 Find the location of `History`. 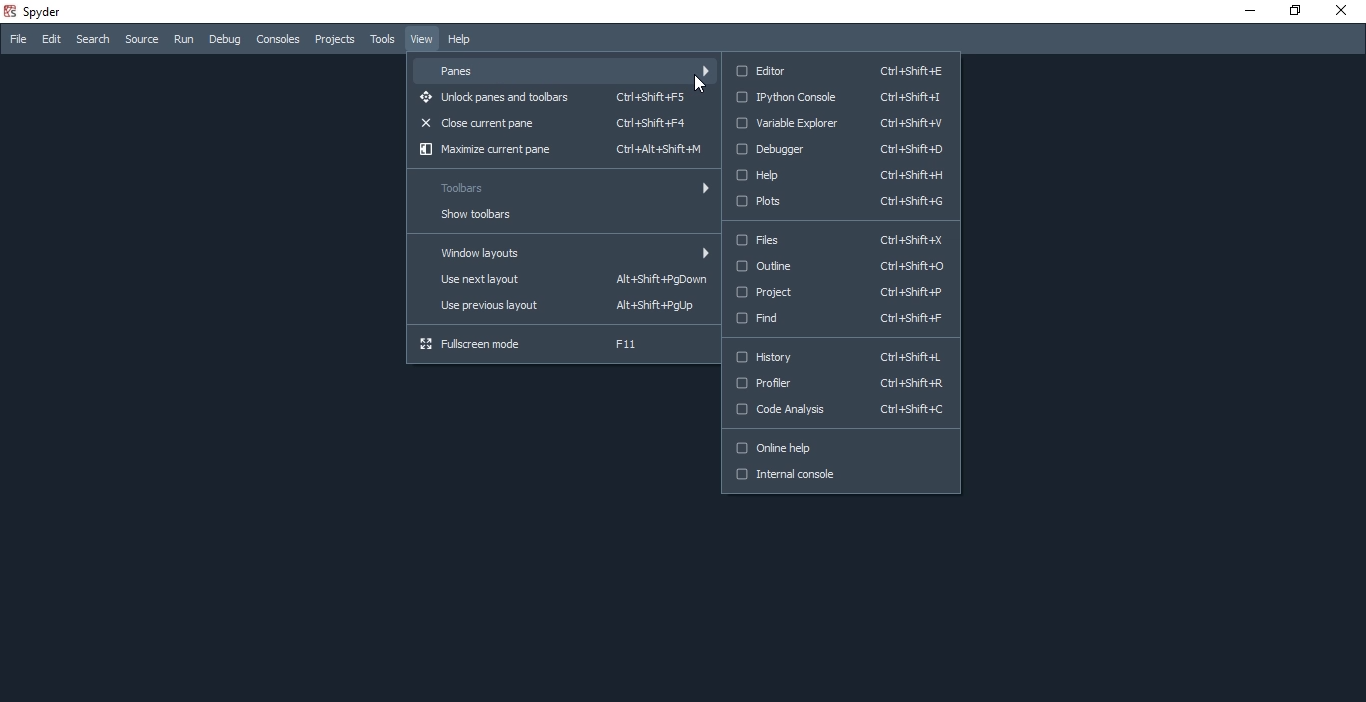

History is located at coordinates (840, 357).